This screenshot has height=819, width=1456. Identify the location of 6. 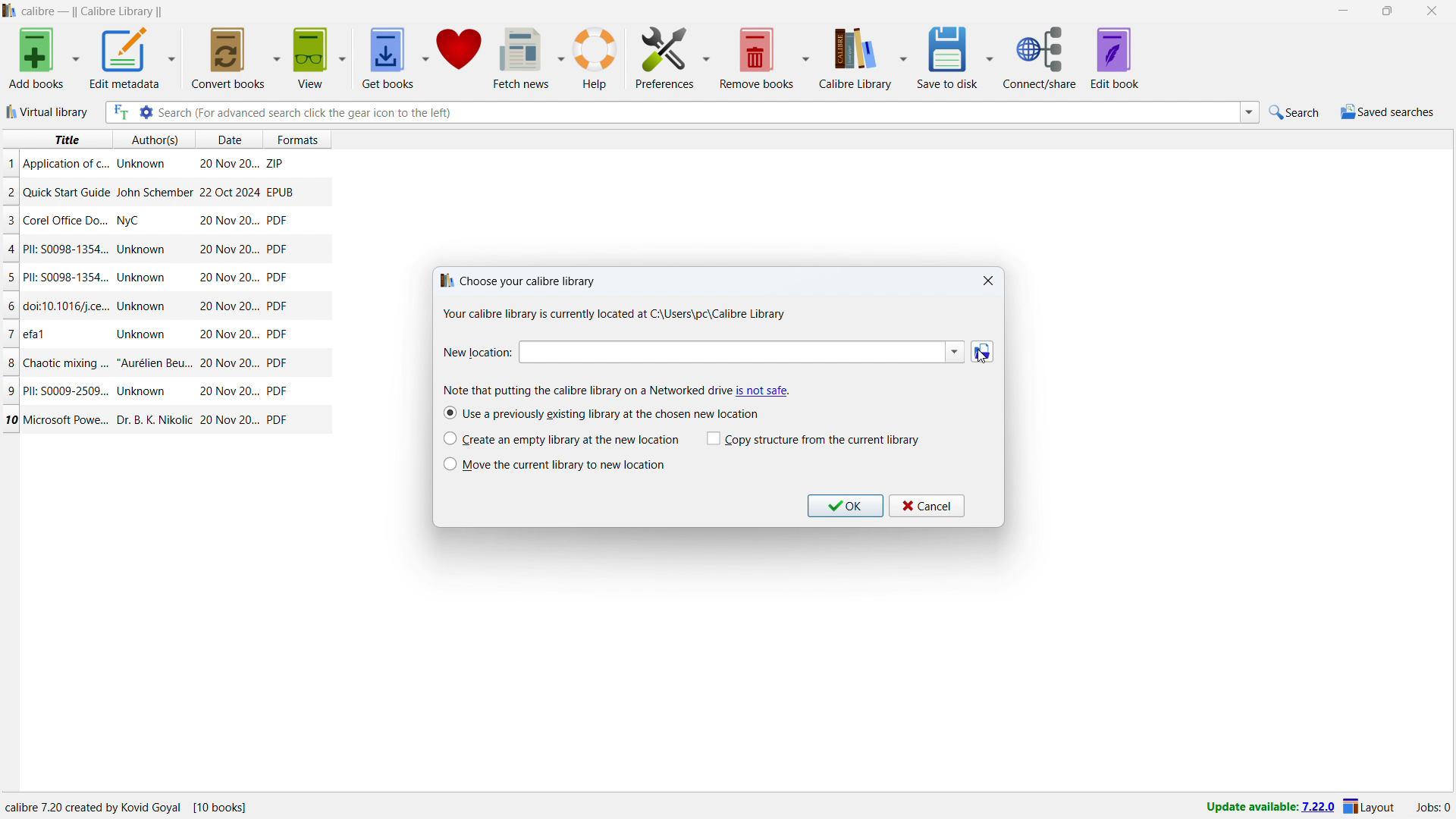
(12, 306).